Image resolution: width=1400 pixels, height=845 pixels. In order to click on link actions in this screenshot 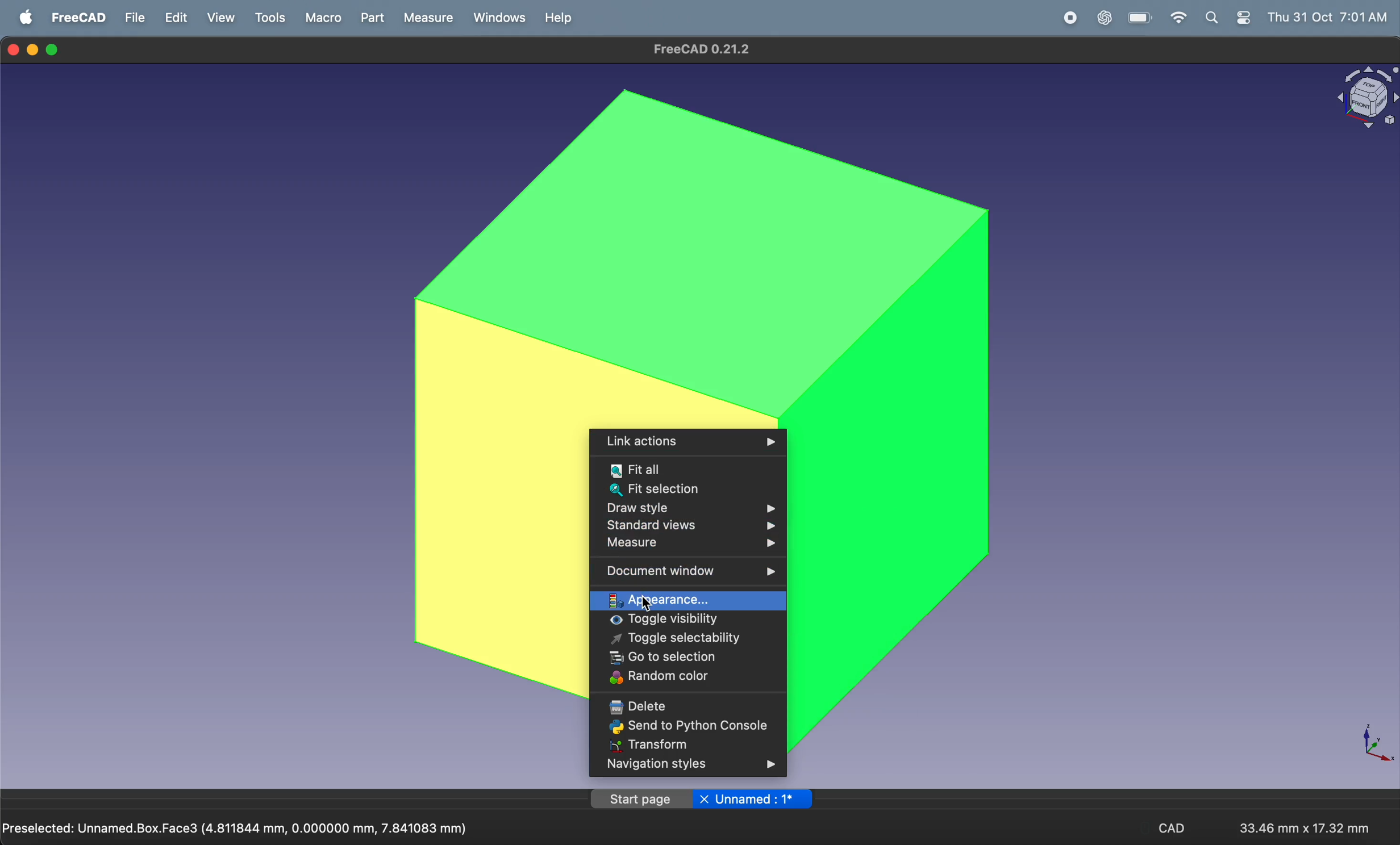, I will do `click(687, 442)`.